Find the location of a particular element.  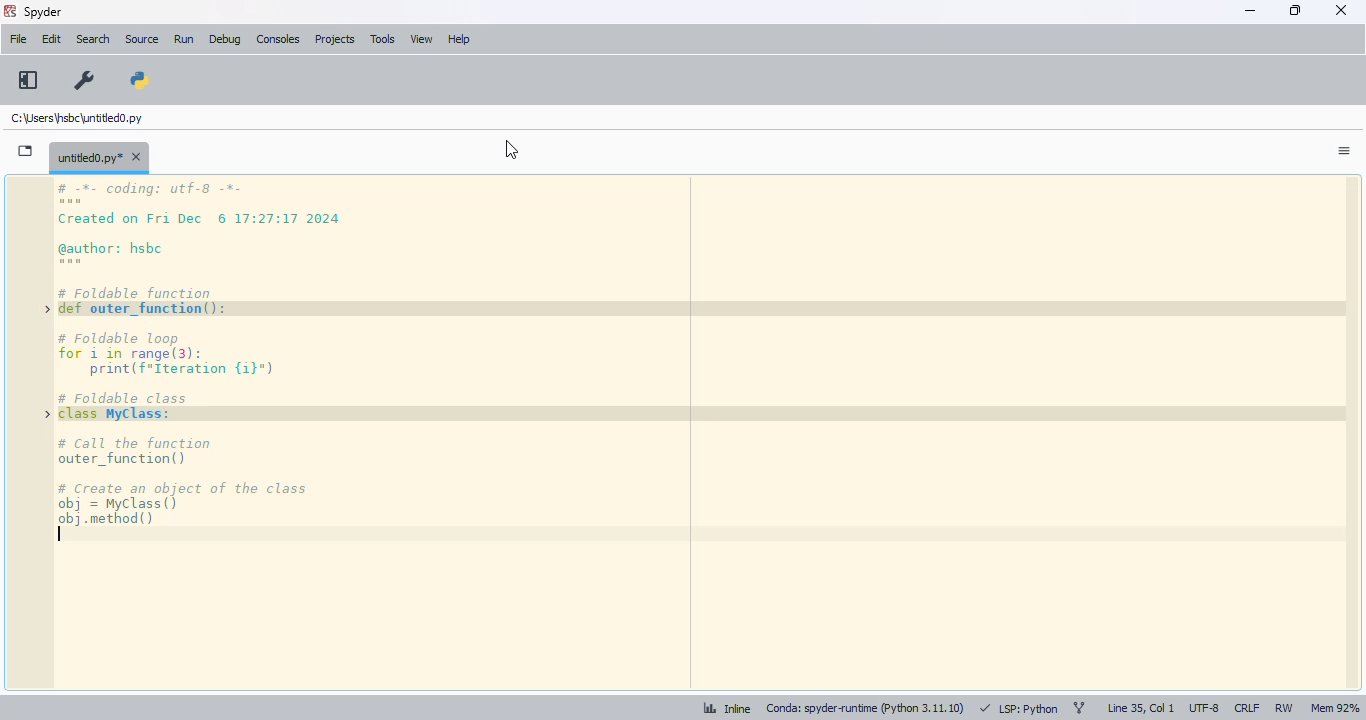

untitled0.py is located at coordinates (76, 118).